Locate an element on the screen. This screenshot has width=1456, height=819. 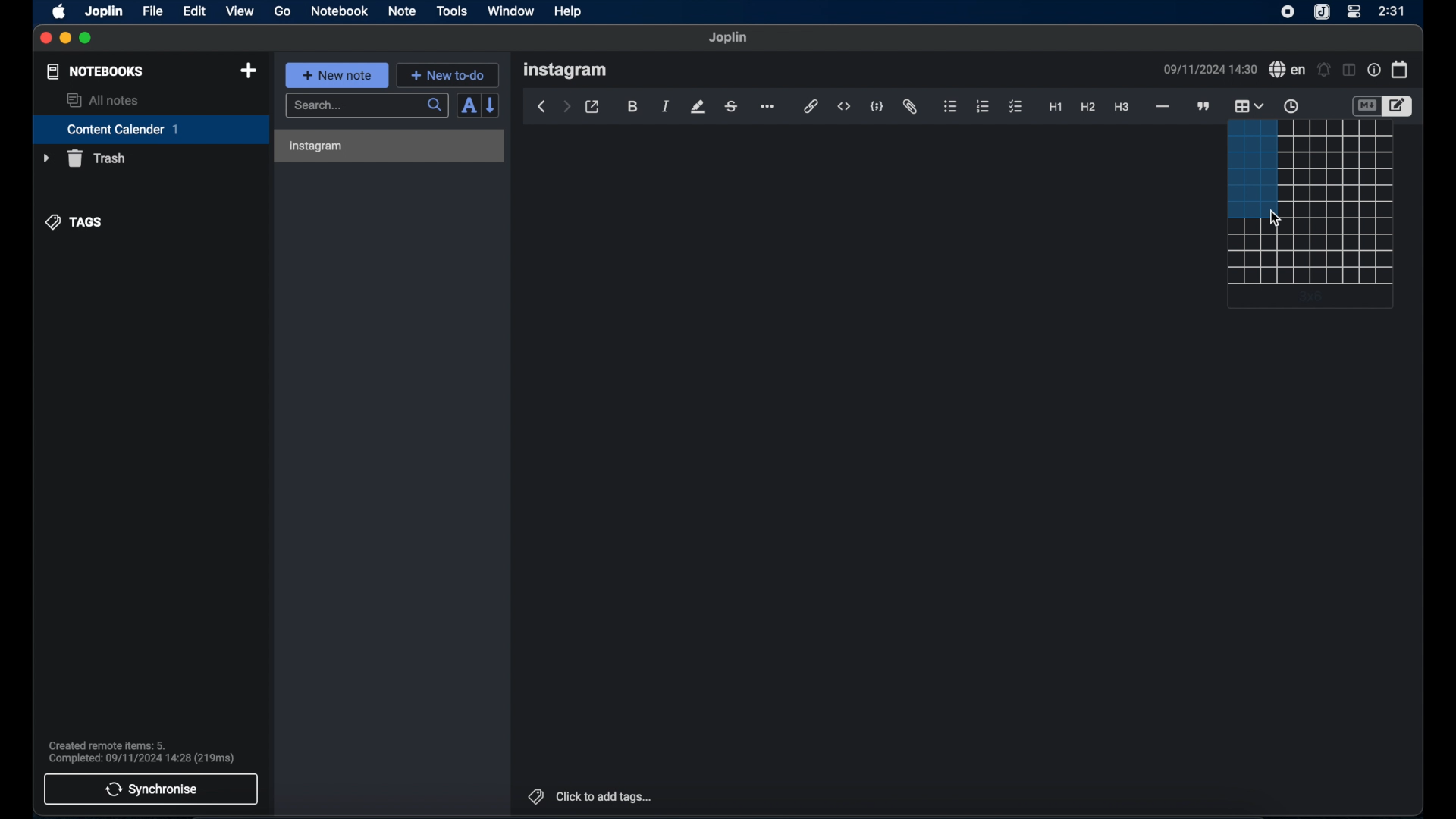
forward is located at coordinates (566, 108).